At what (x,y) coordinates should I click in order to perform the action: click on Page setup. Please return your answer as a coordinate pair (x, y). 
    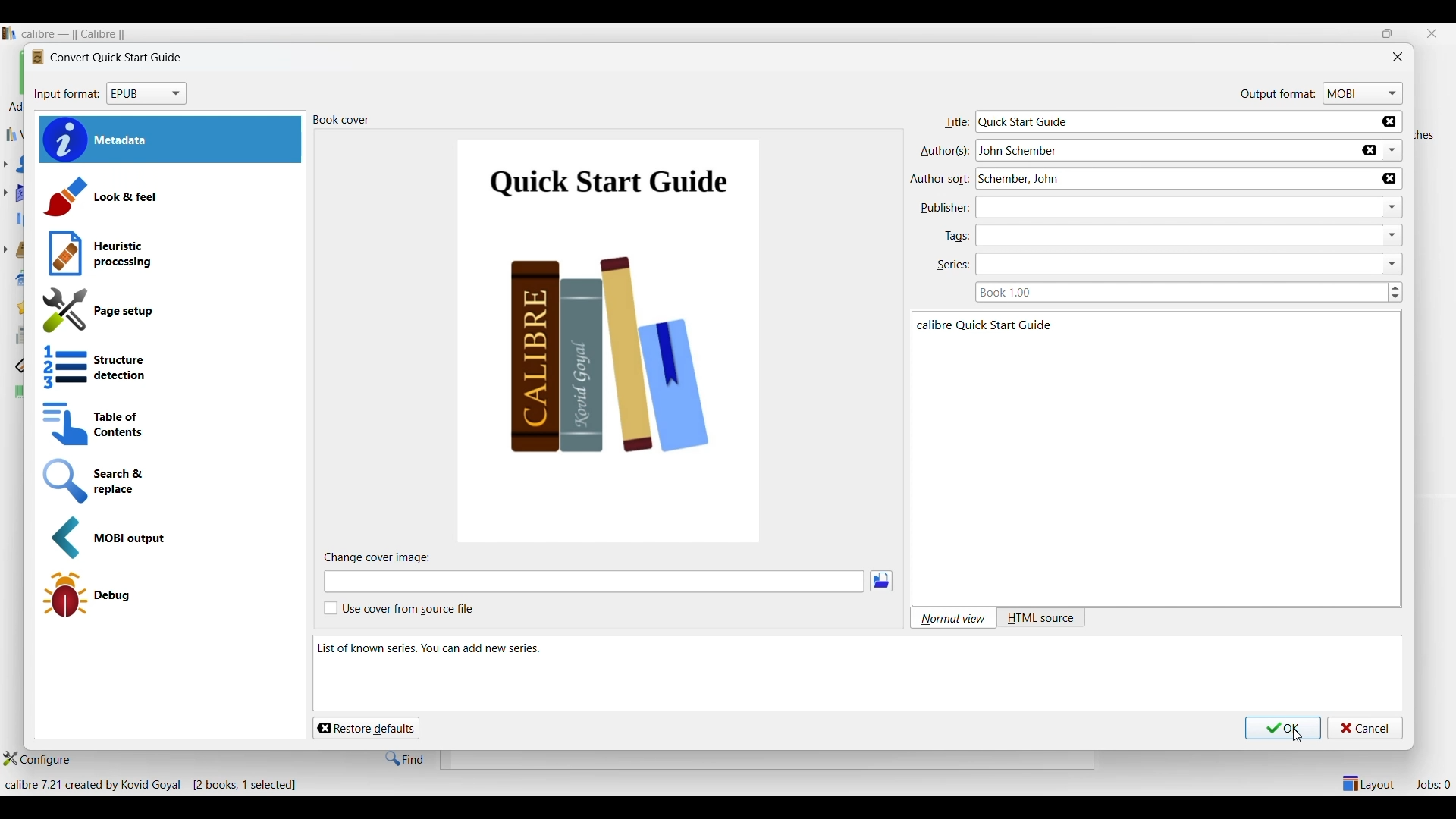
    Looking at the image, I should click on (168, 311).